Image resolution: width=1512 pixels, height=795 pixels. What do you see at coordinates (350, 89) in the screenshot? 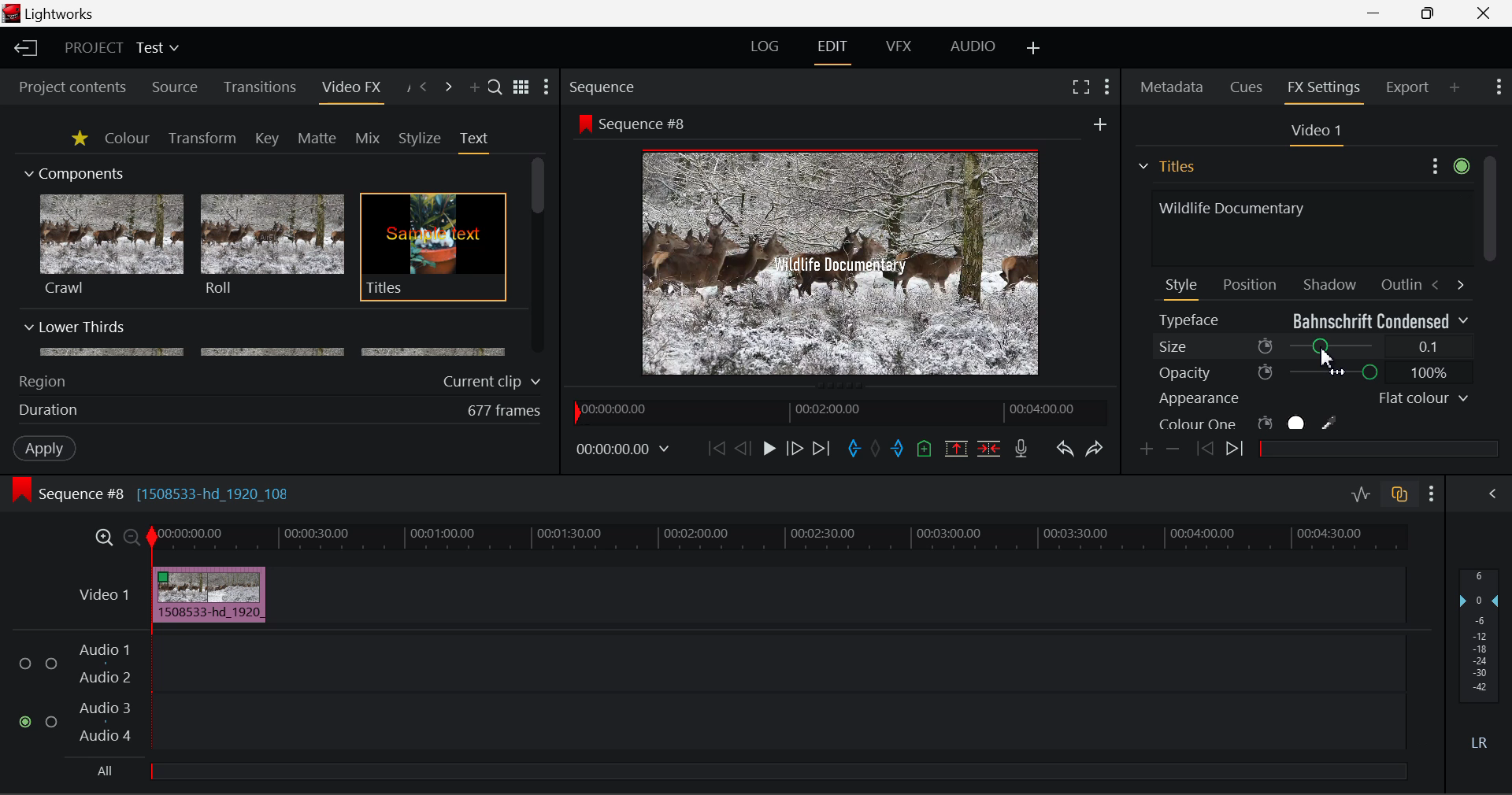
I see `Video FX Panel Open` at bounding box center [350, 89].